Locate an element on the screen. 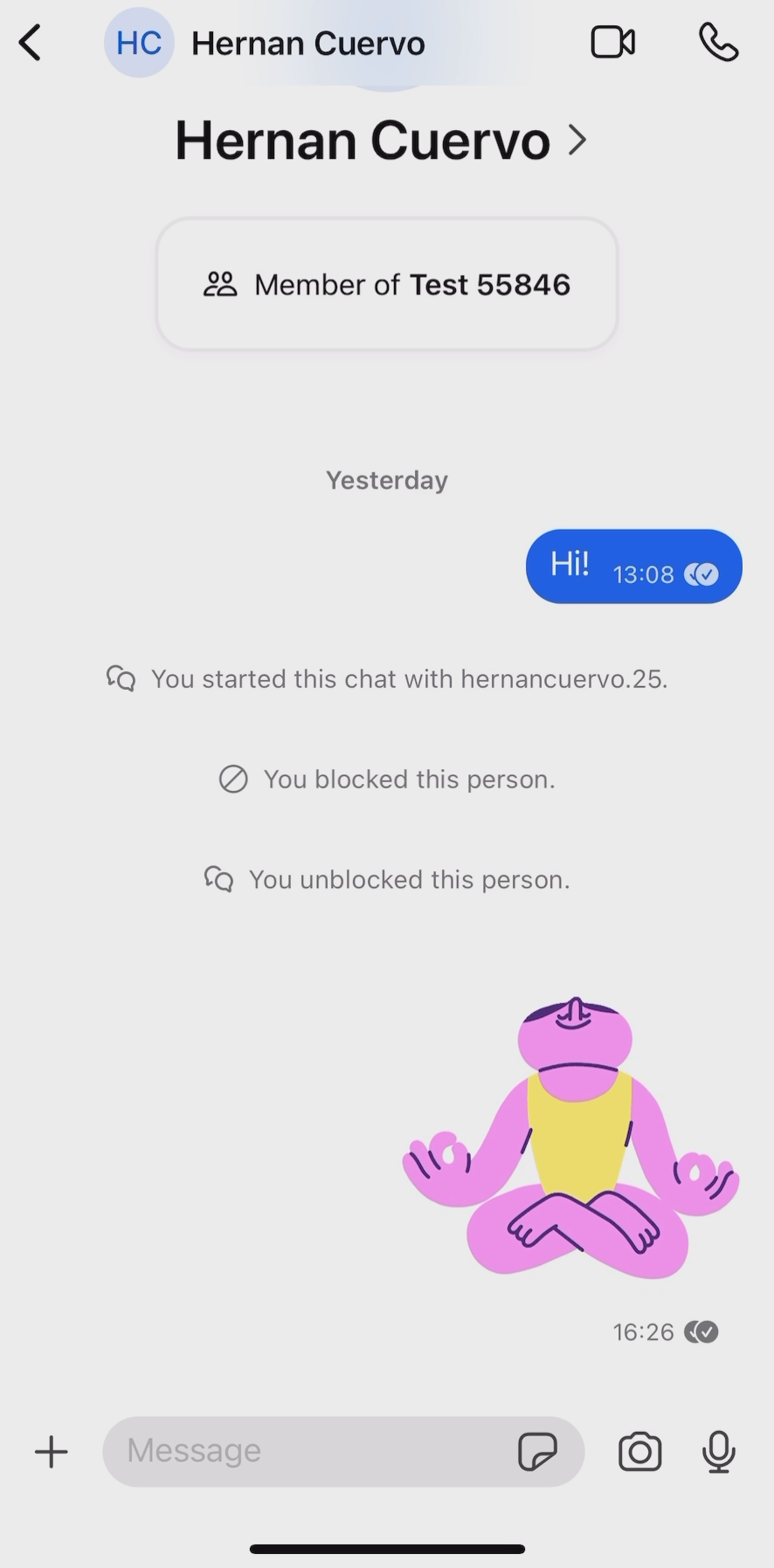 Image resolution: width=774 pixels, height=1568 pixels. videocall is located at coordinates (613, 40).